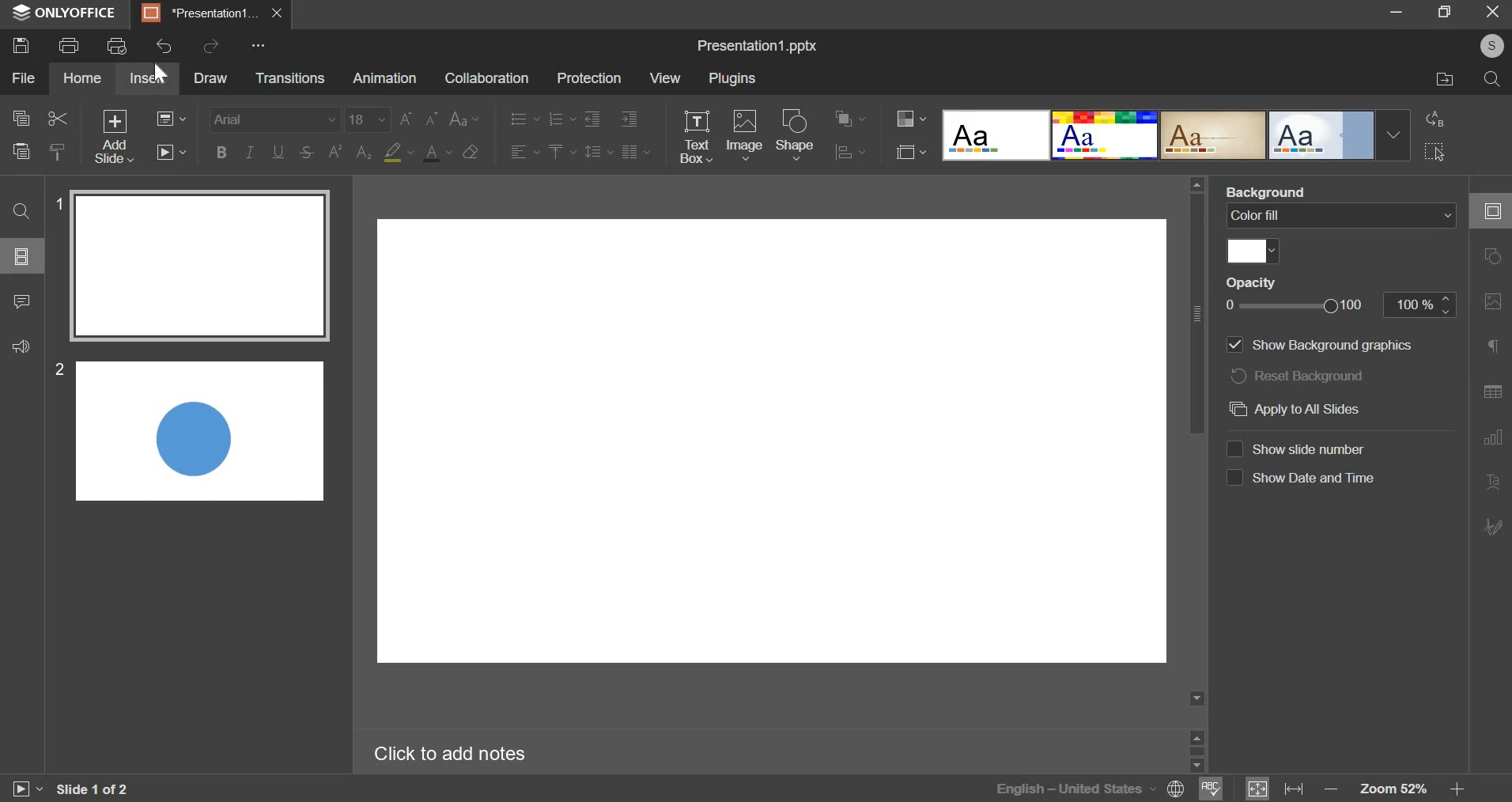 Image resolution: width=1512 pixels, height=802 pixels. Describe the element at coordinates (994, 136) in the screenshot. I see `word art` at that location.